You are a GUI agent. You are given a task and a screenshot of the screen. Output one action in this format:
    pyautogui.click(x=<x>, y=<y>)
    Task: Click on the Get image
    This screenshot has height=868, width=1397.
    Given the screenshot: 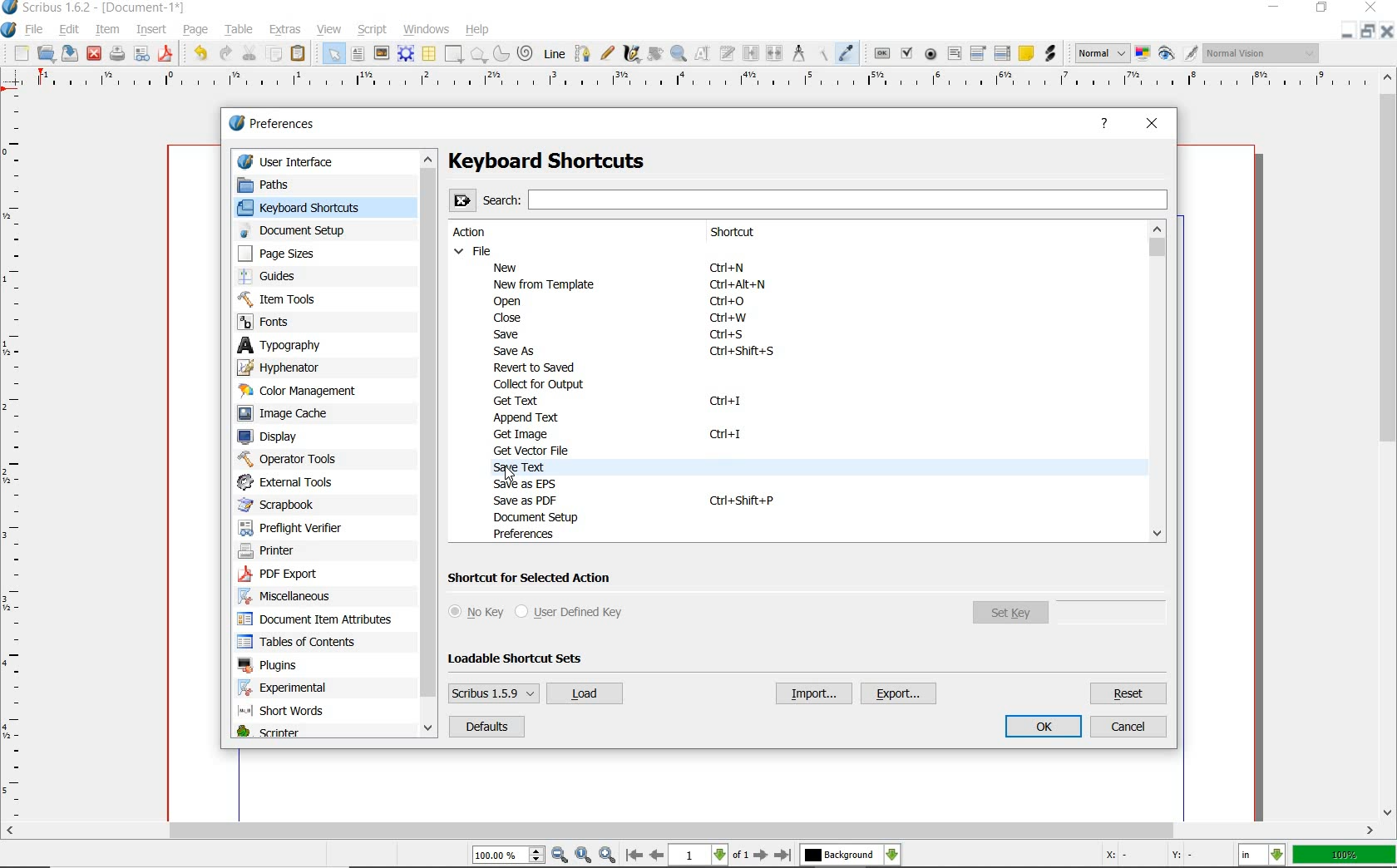 What is the action you would take?
    pyautogui.click(x=529, y=433)
    